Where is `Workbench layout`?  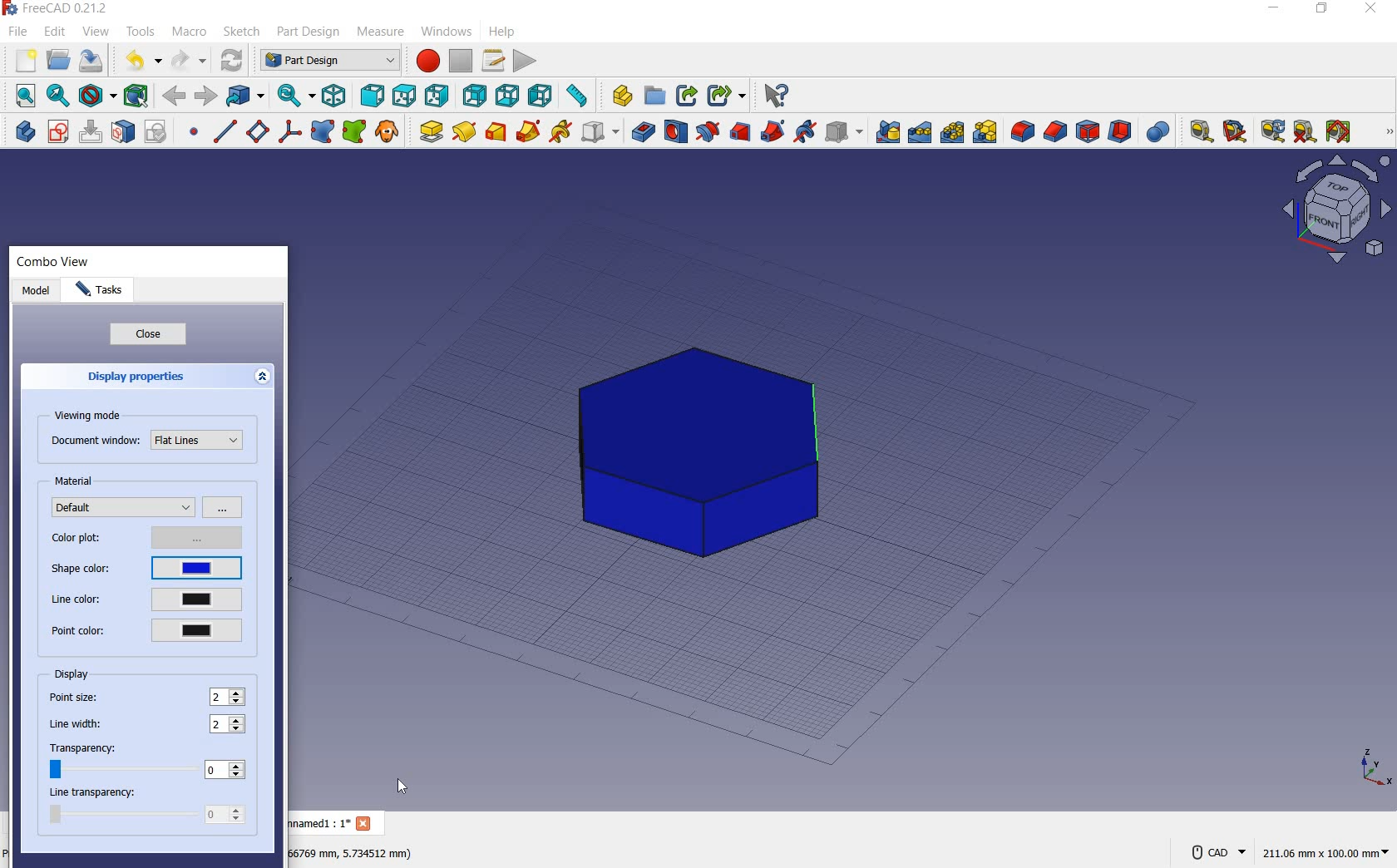
Workbench layout is located at coordinates (1329, 211).